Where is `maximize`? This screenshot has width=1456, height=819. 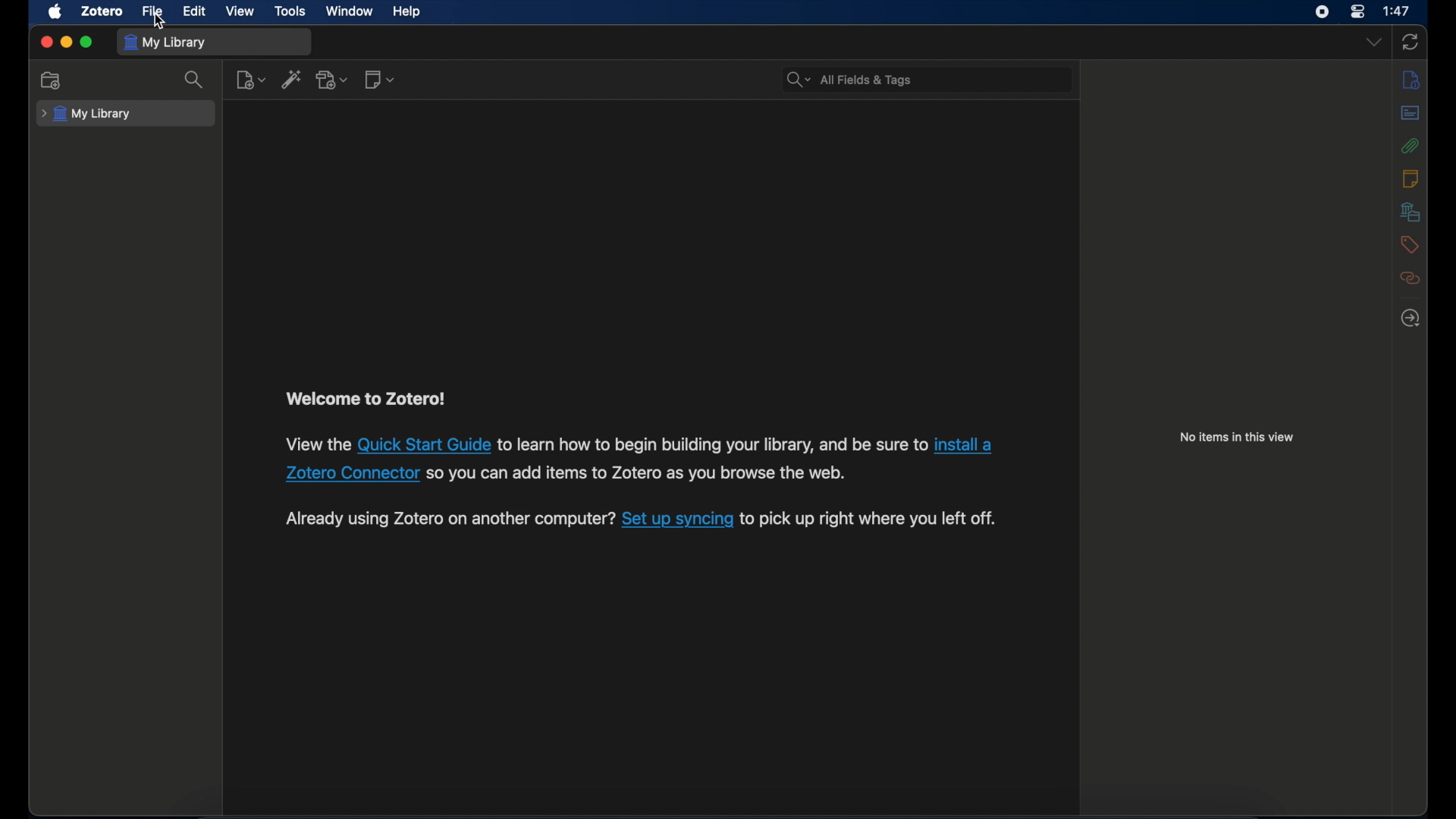
maximize is located at coordinates (87, 42).